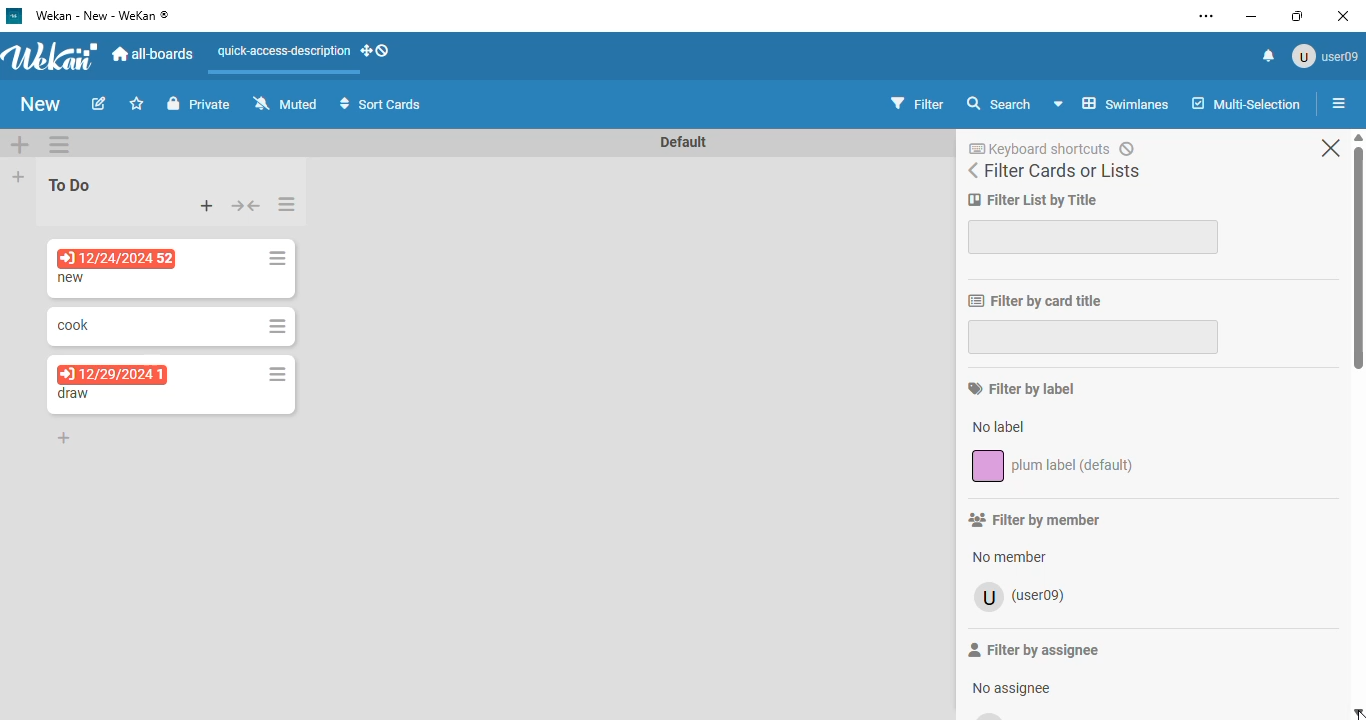 This screenshot has height=720, width=1366. Describe the element at coordinates (102, 15) in the screenshot. I see `wekan - new - wekan ` at that location.